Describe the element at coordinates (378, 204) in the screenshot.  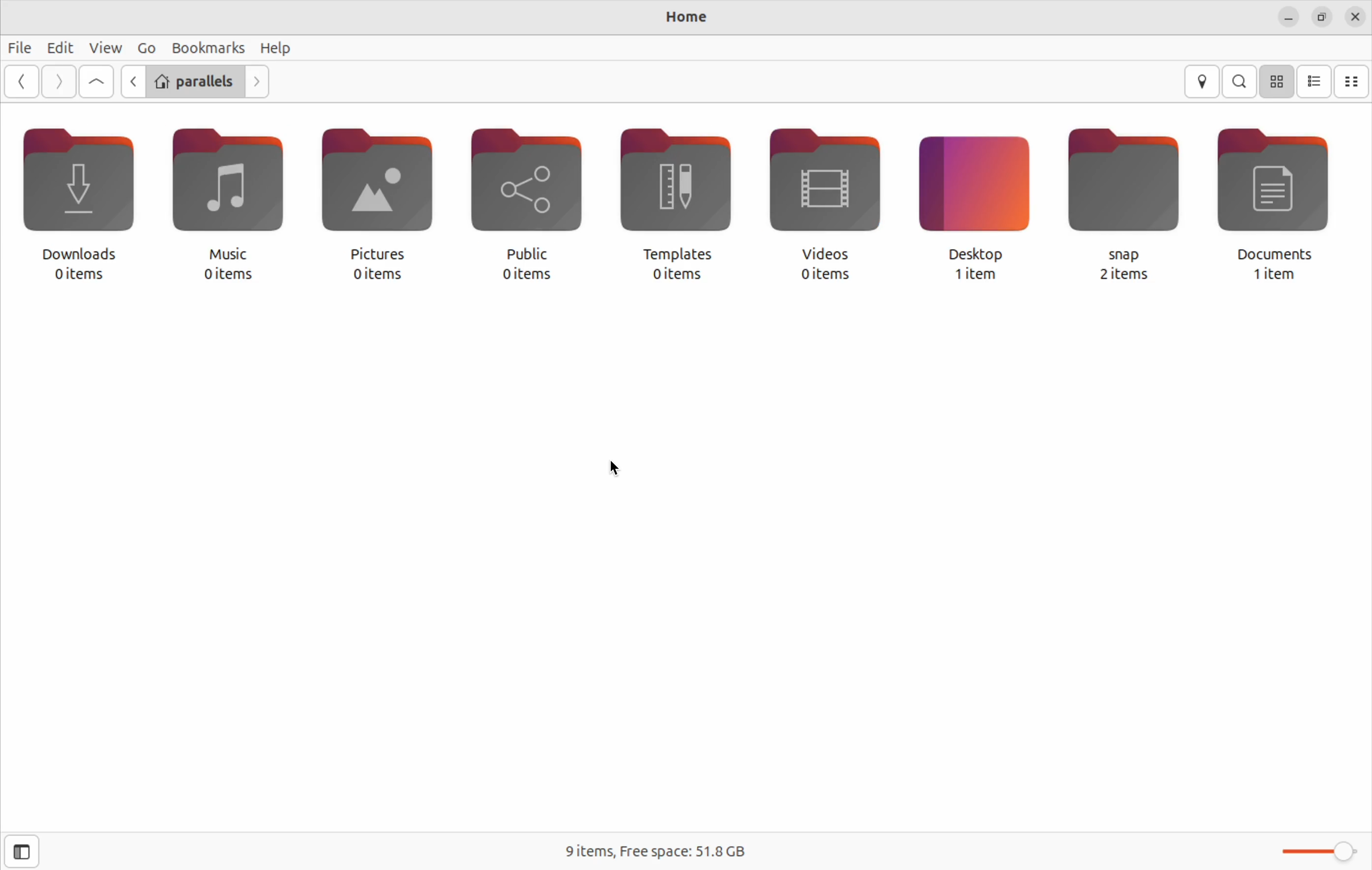
I see `pictures` at that location.